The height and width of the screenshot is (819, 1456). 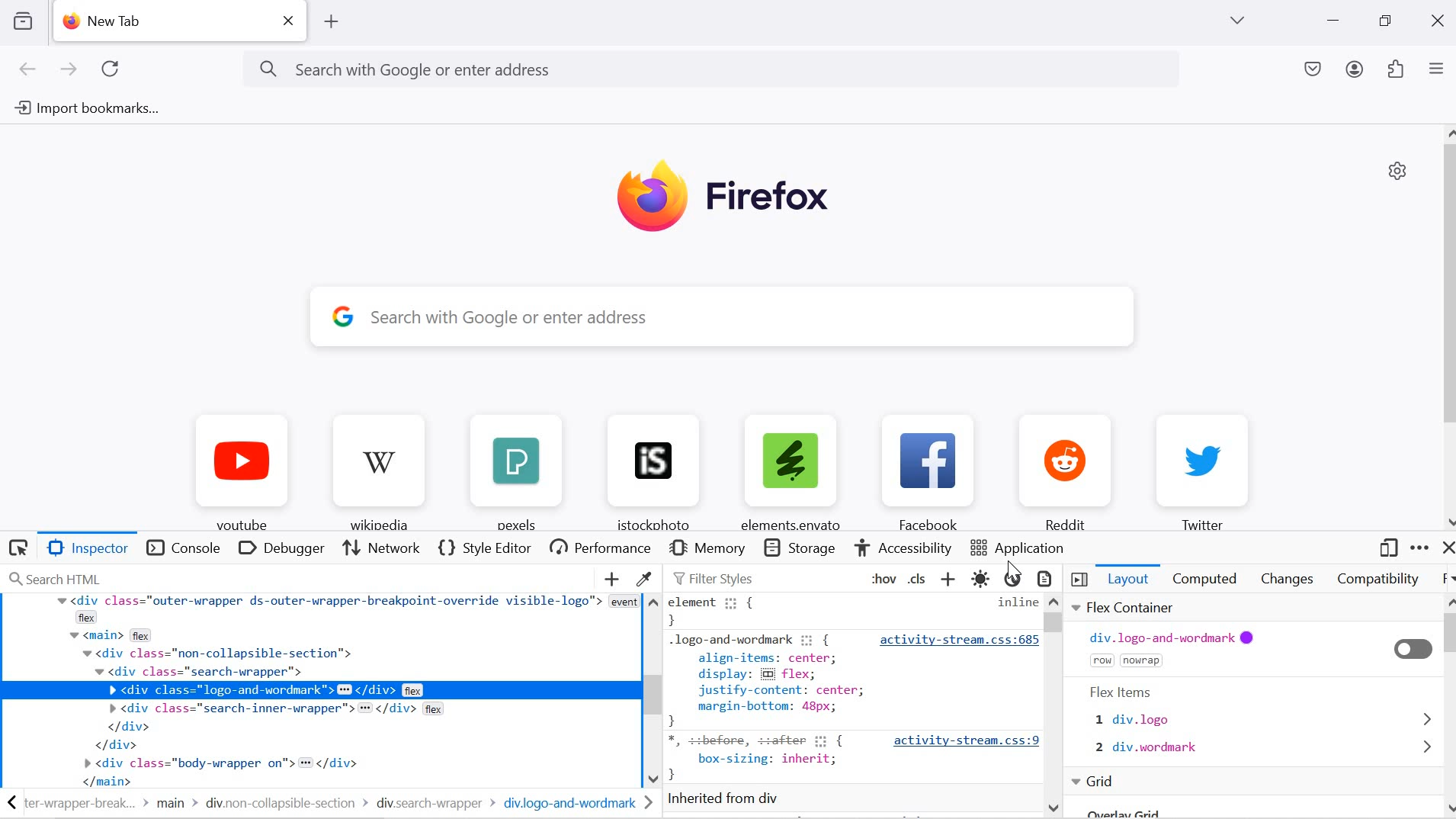 I want to click on ADD TAB, so click(x=333, y=22).